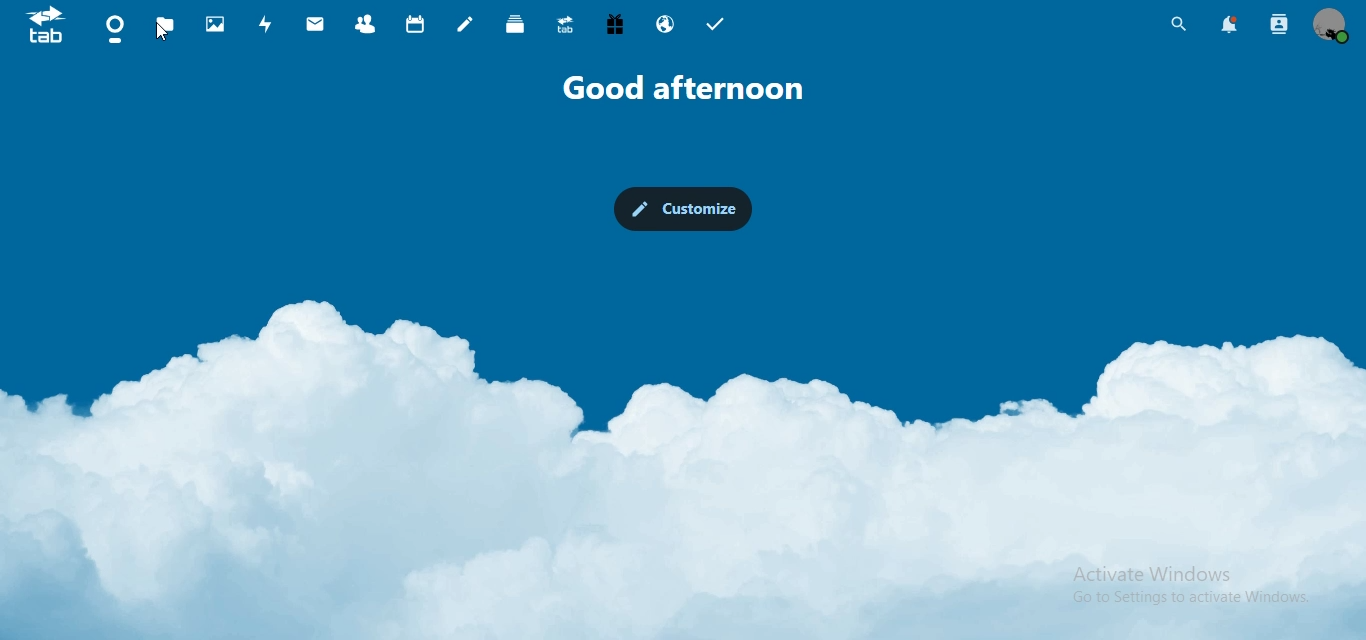 The height and width of the screenshot is (640, 1366). Describe the element at coordinates (215, 24) in the screenshot. I see `photos` at that location.